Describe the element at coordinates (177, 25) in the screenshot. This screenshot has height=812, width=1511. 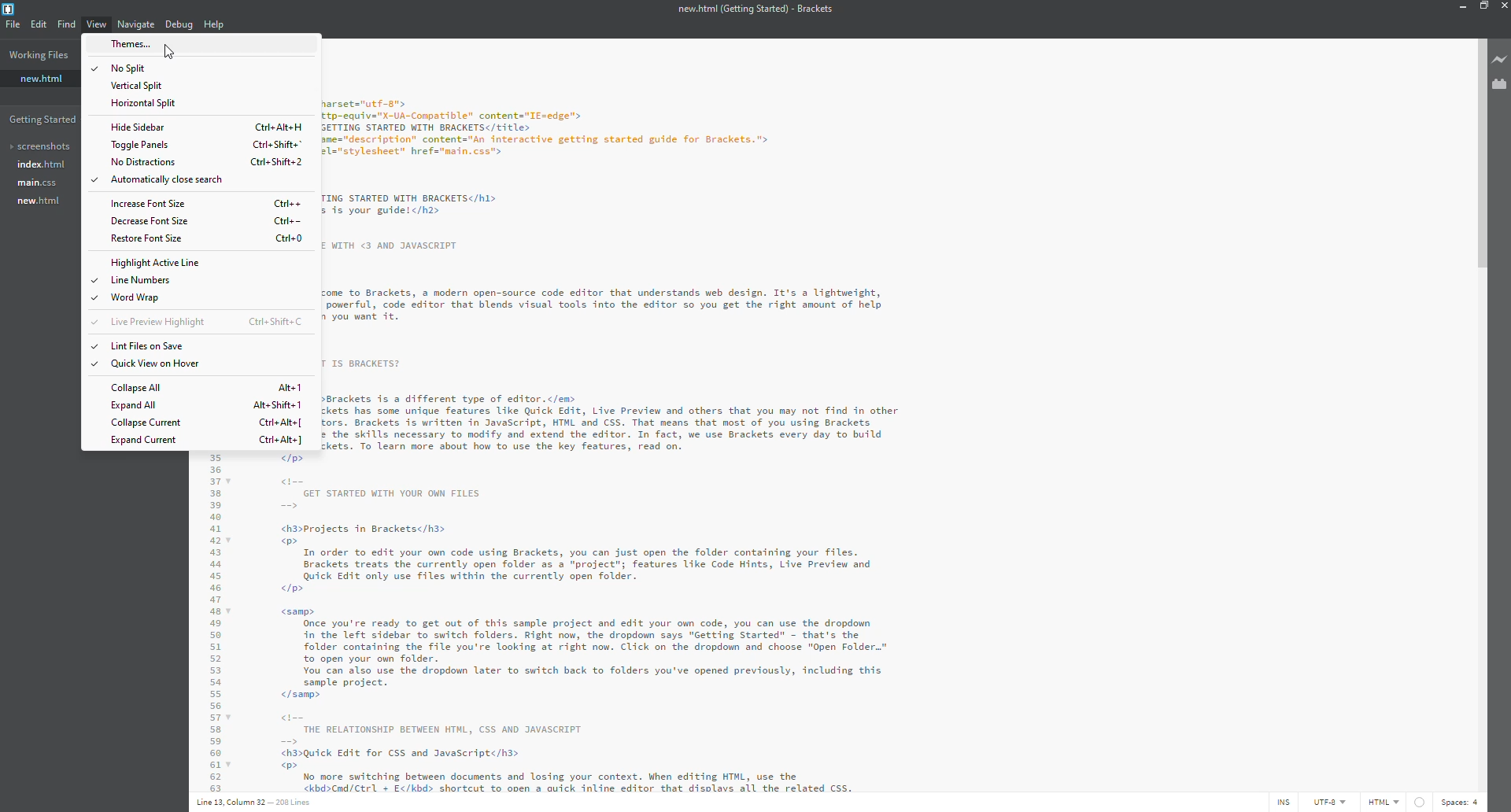
I see `debug` at that location.